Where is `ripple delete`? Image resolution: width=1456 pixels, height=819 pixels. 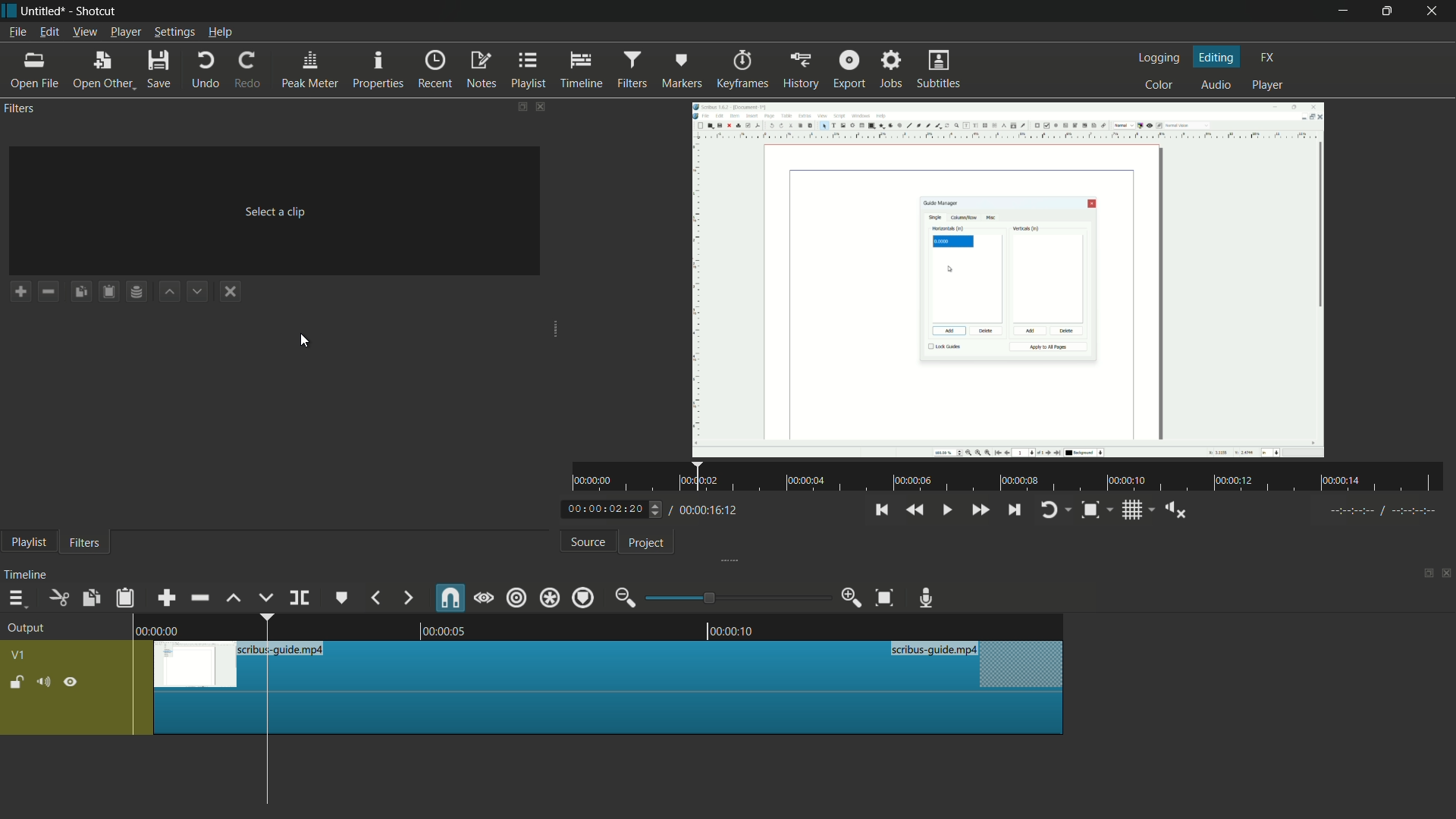 ripple delete is located at coordinates (199, 598).